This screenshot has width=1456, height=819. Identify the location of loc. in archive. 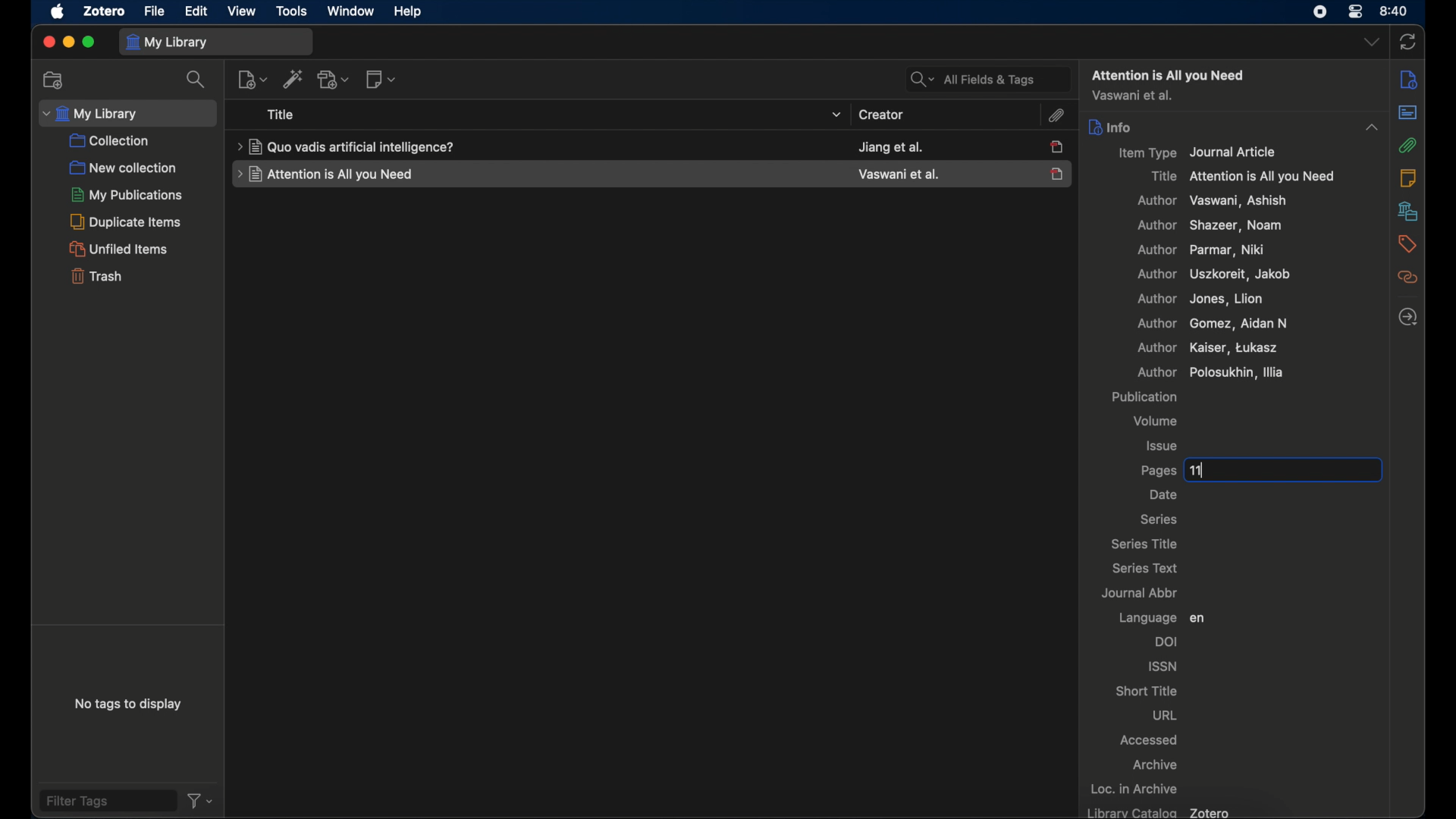
(1137, 789).